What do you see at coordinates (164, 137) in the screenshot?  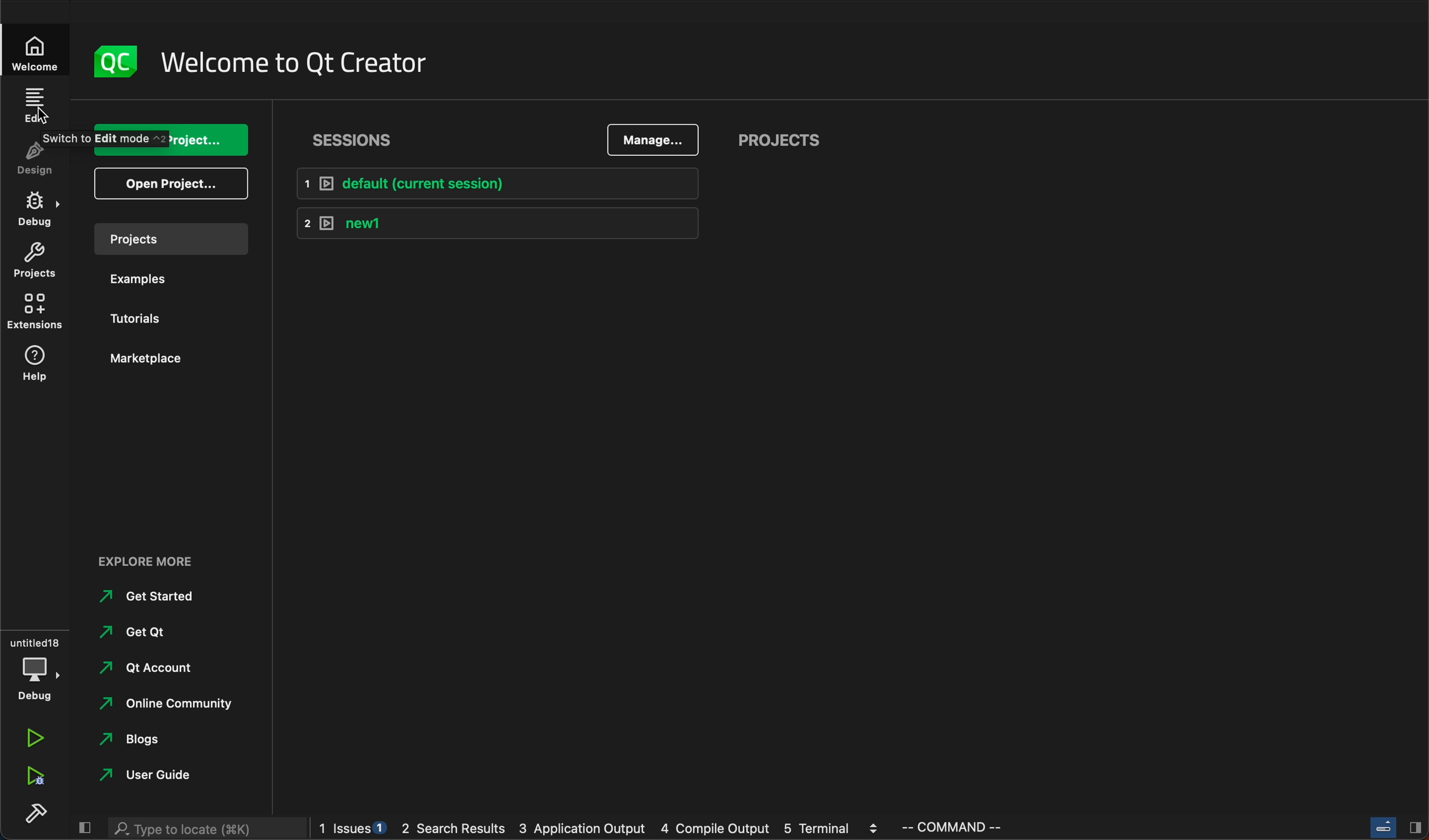 I see `create` at bounding box center [164, 137].